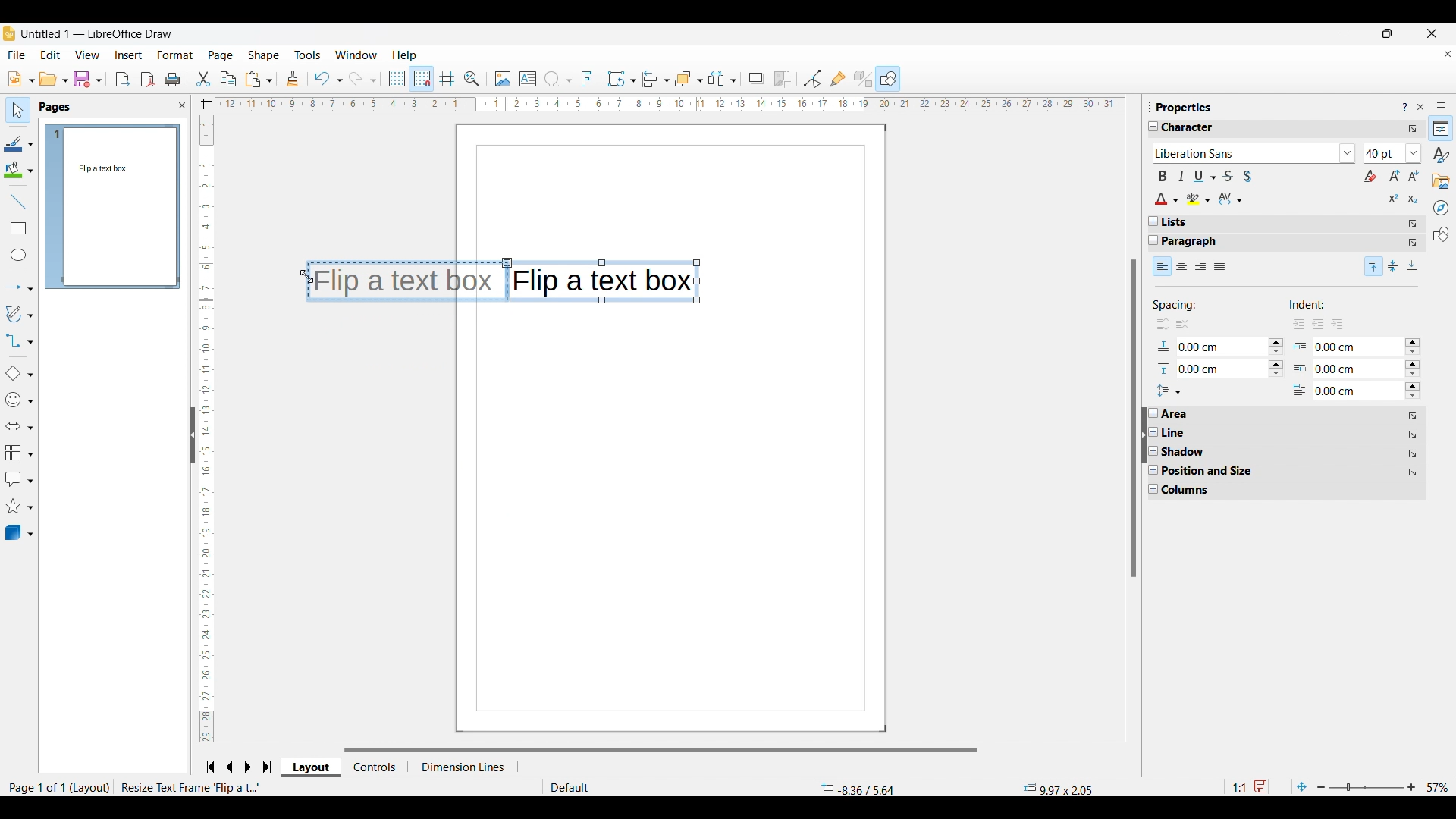 The image size is (1456, 819). I want to click on Center alignment, so click(1394, 266).